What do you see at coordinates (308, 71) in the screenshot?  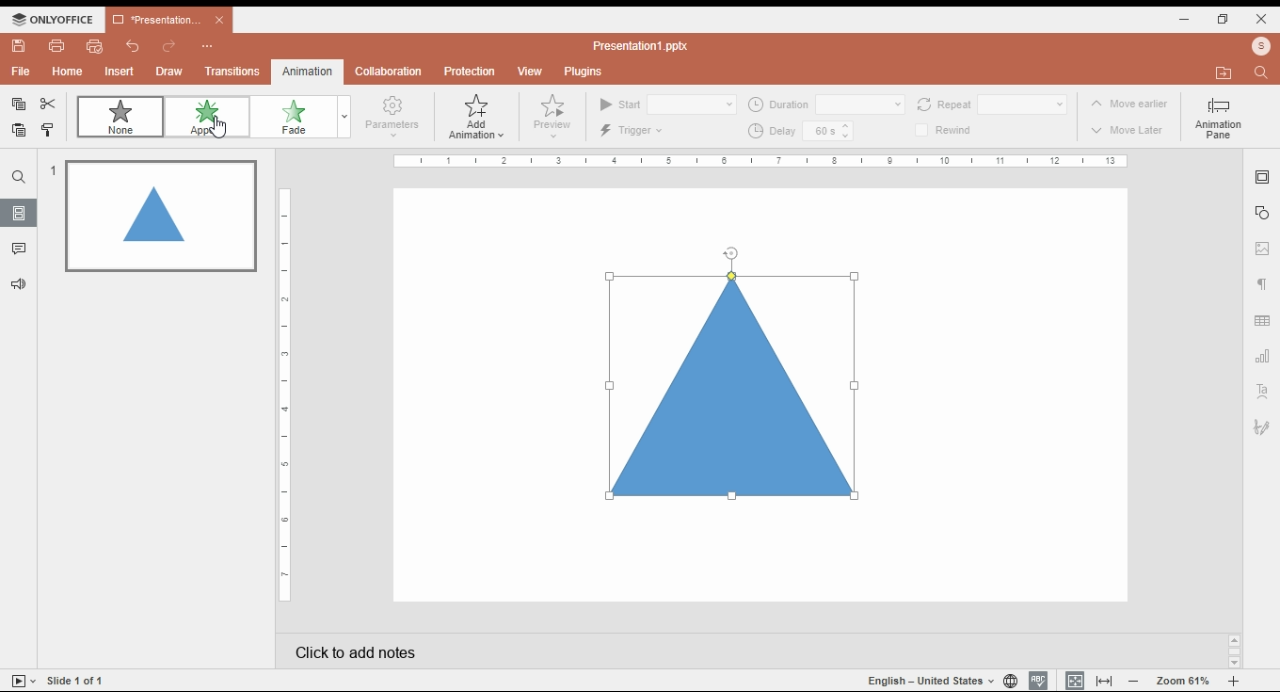 I see `animation` at bounding box center [308, 71].